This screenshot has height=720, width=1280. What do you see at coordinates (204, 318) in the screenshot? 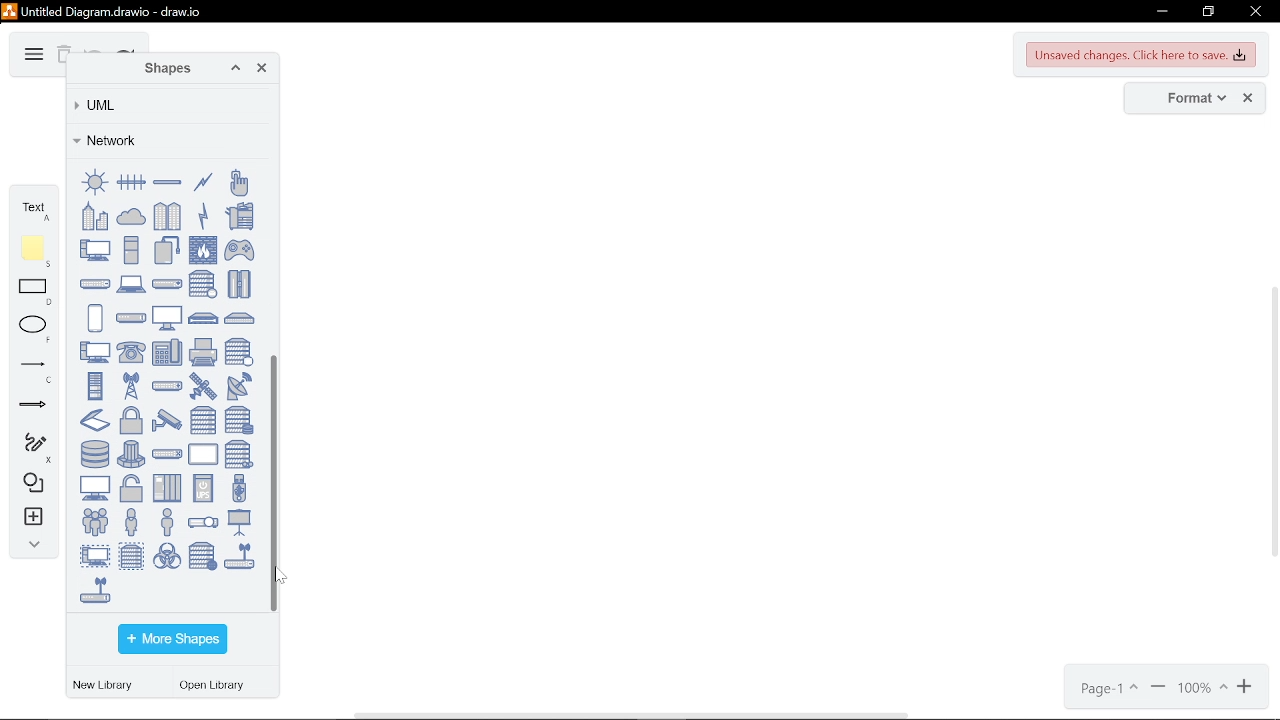
I see `NAS filer` at bounding box center [204, 318].